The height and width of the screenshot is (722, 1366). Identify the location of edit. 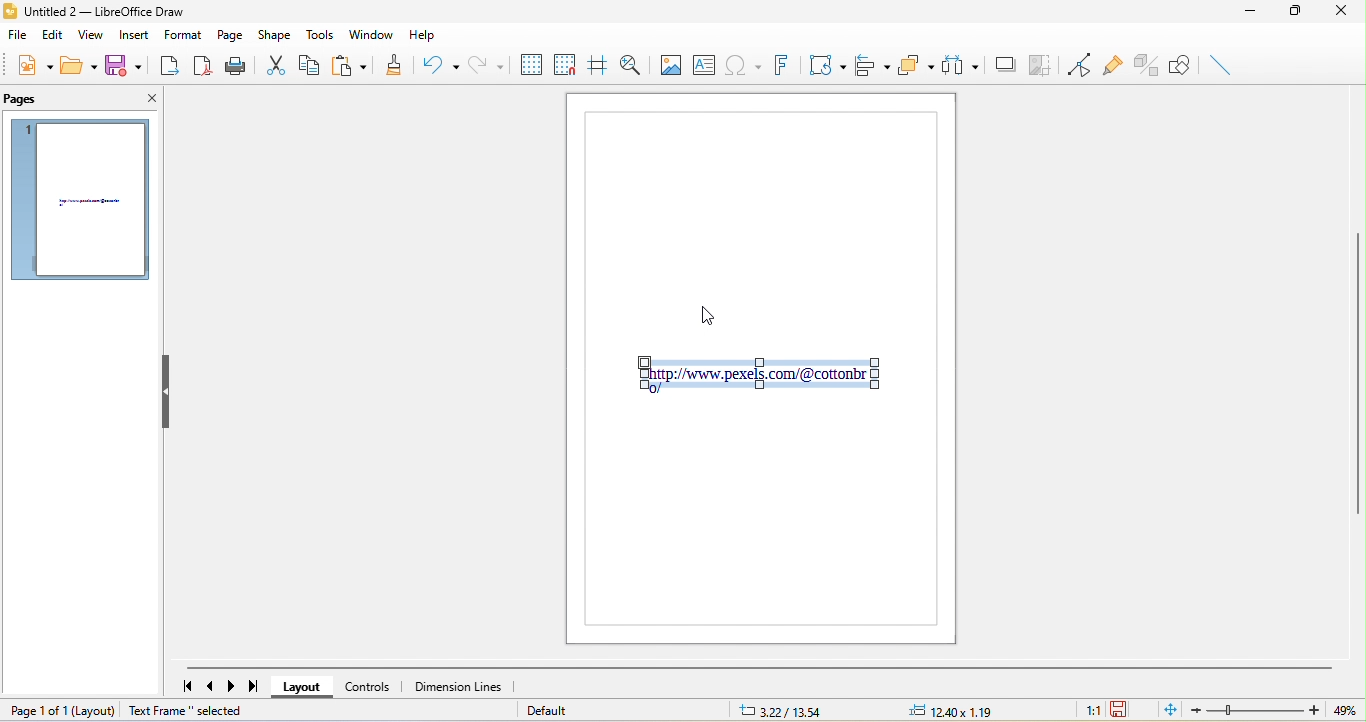
(51, 35).